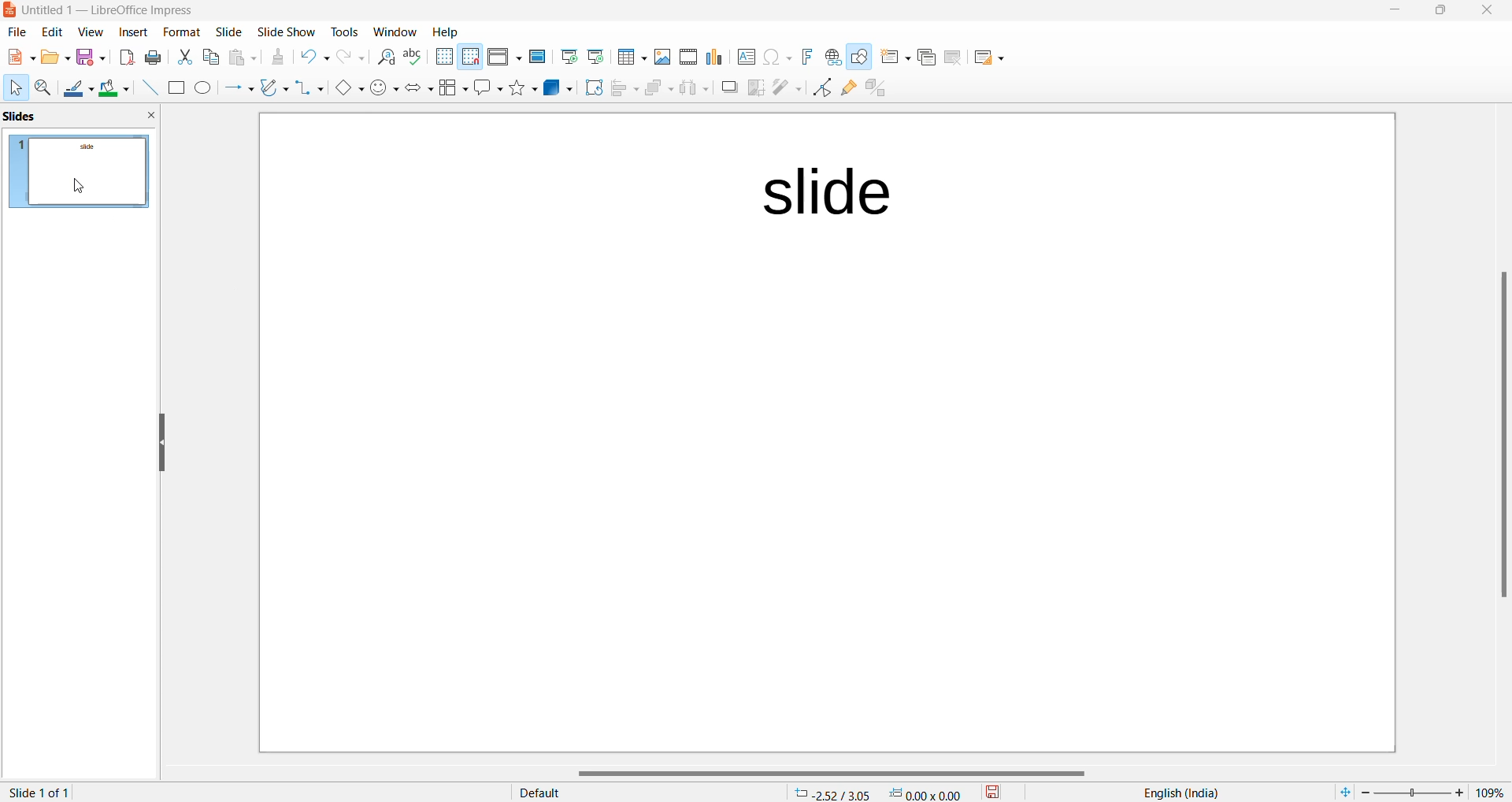 Image resolution: width=1512 pixels, height=802 pixels. I want to click on slide, so click(231, 32).